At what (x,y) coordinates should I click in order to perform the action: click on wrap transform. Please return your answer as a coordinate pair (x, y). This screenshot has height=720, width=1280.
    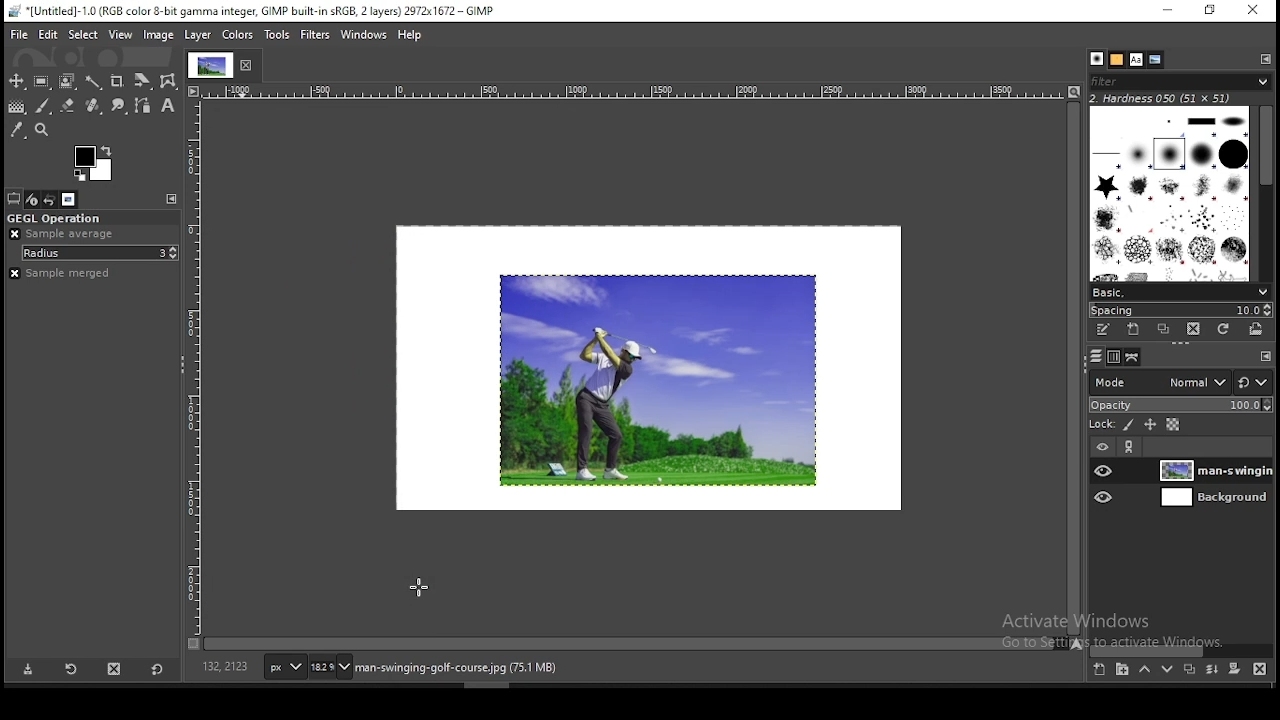
    Looking at the image, I should click on (168, 82).